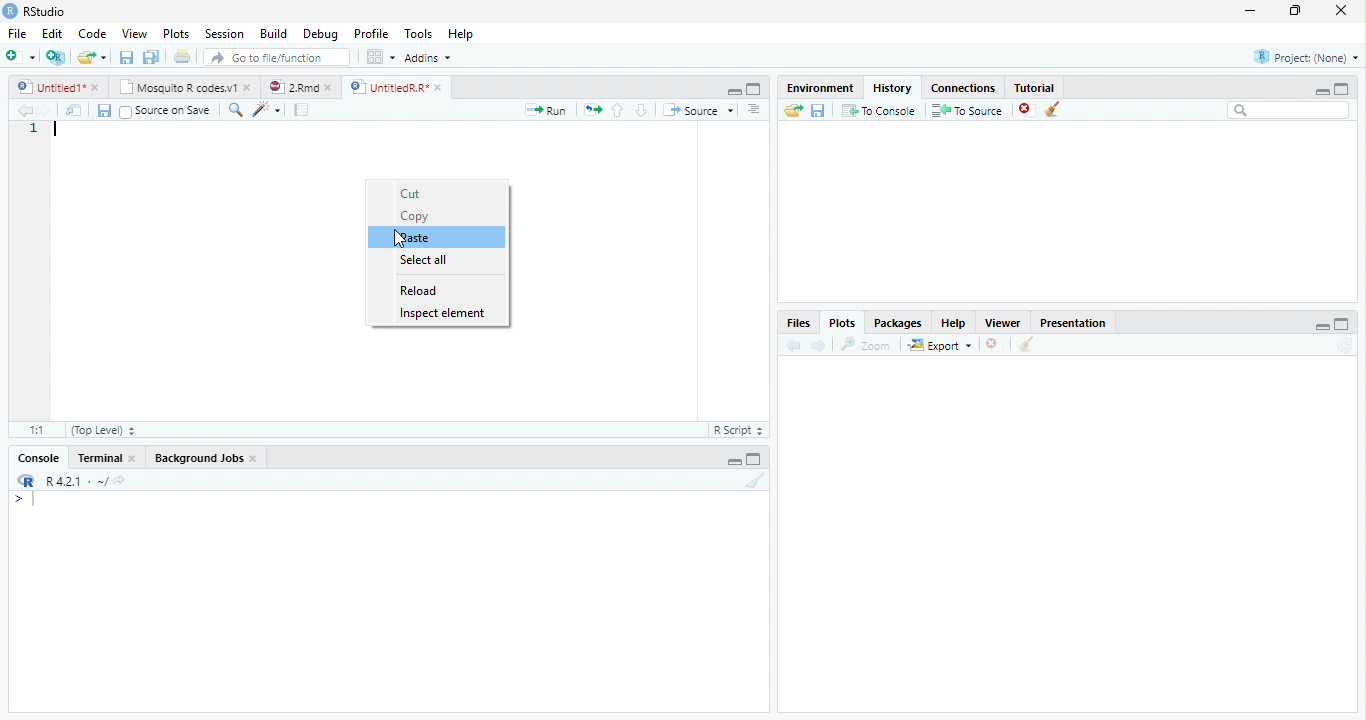  I want to click on minimize, so click(735, 92).